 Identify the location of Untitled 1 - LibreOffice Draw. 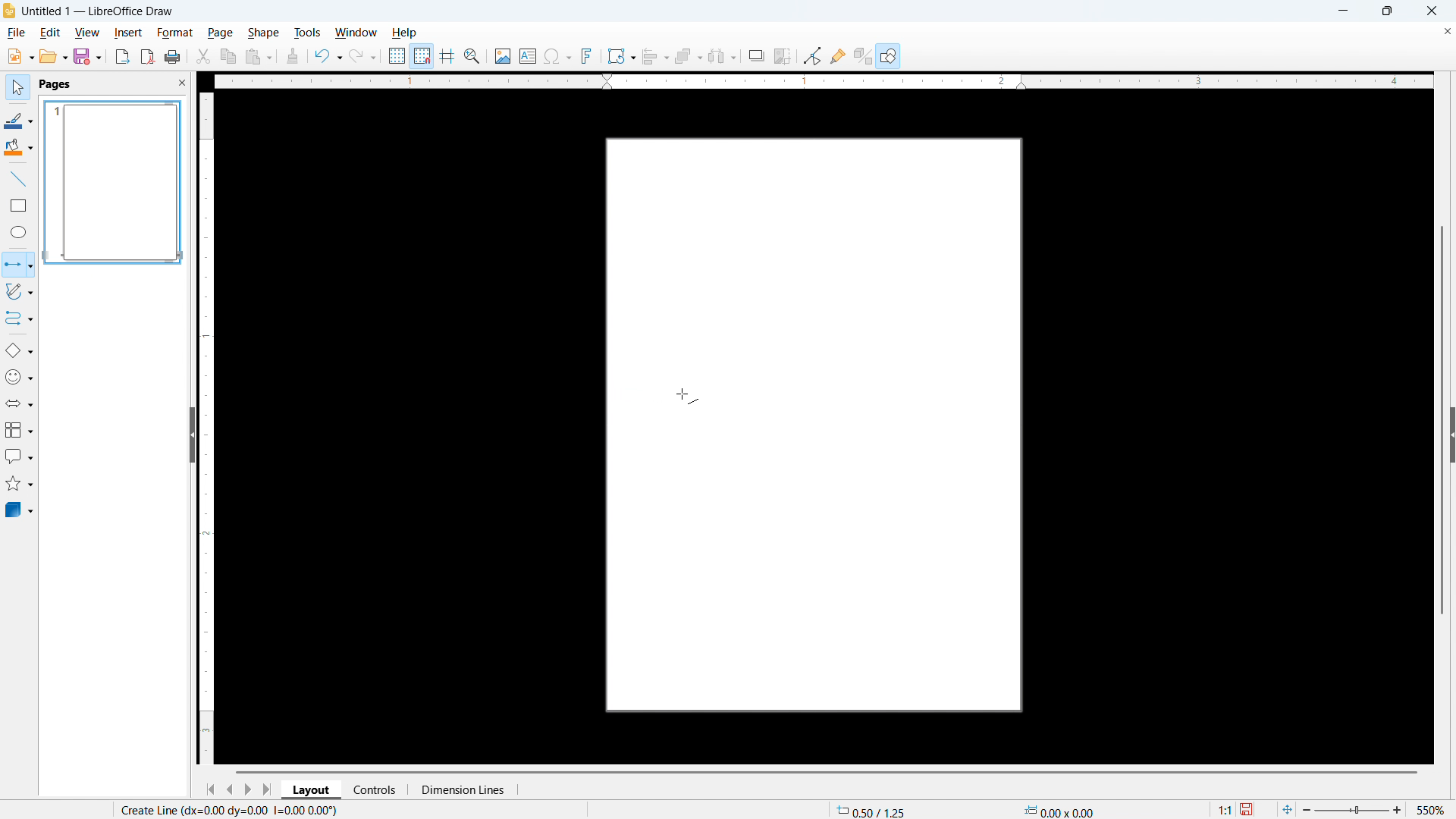
(99, 11).